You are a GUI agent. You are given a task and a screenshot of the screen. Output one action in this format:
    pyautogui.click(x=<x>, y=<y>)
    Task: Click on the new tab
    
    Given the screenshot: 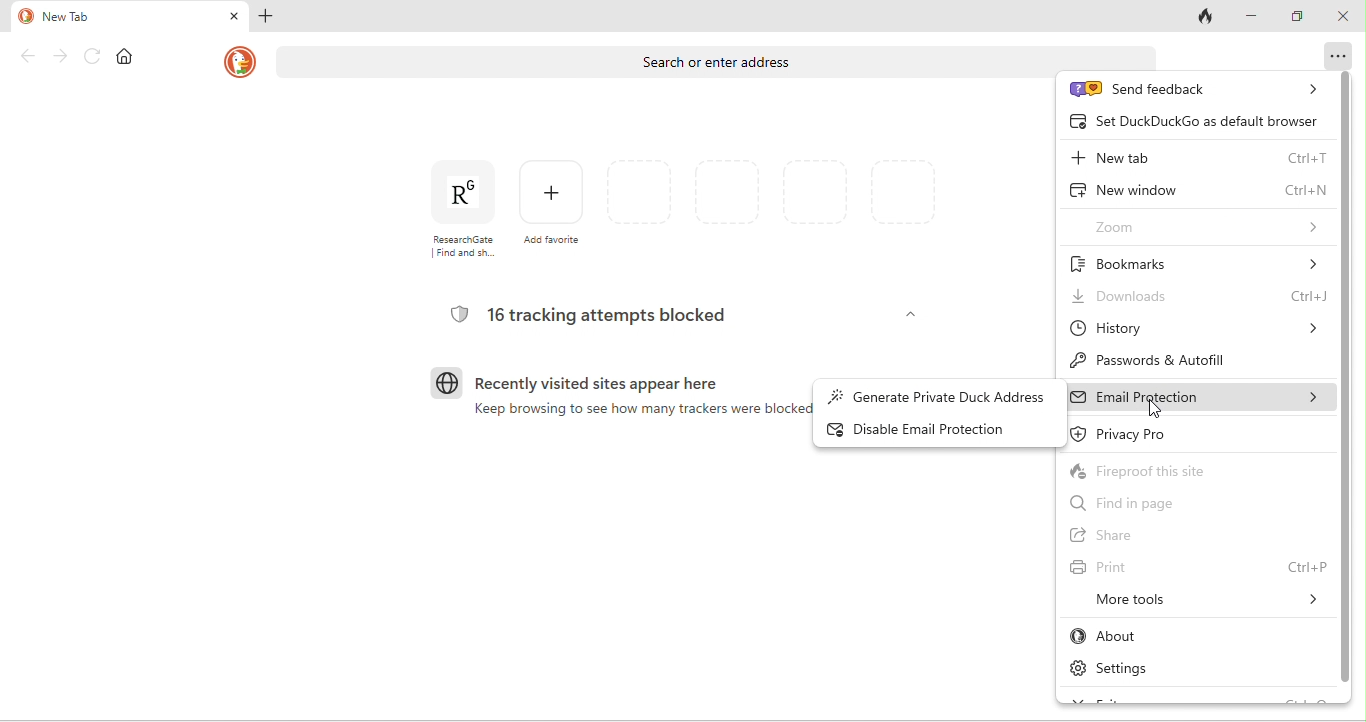 What is the action you would take?
    pyautogui.click(x=1199, y=156)
    